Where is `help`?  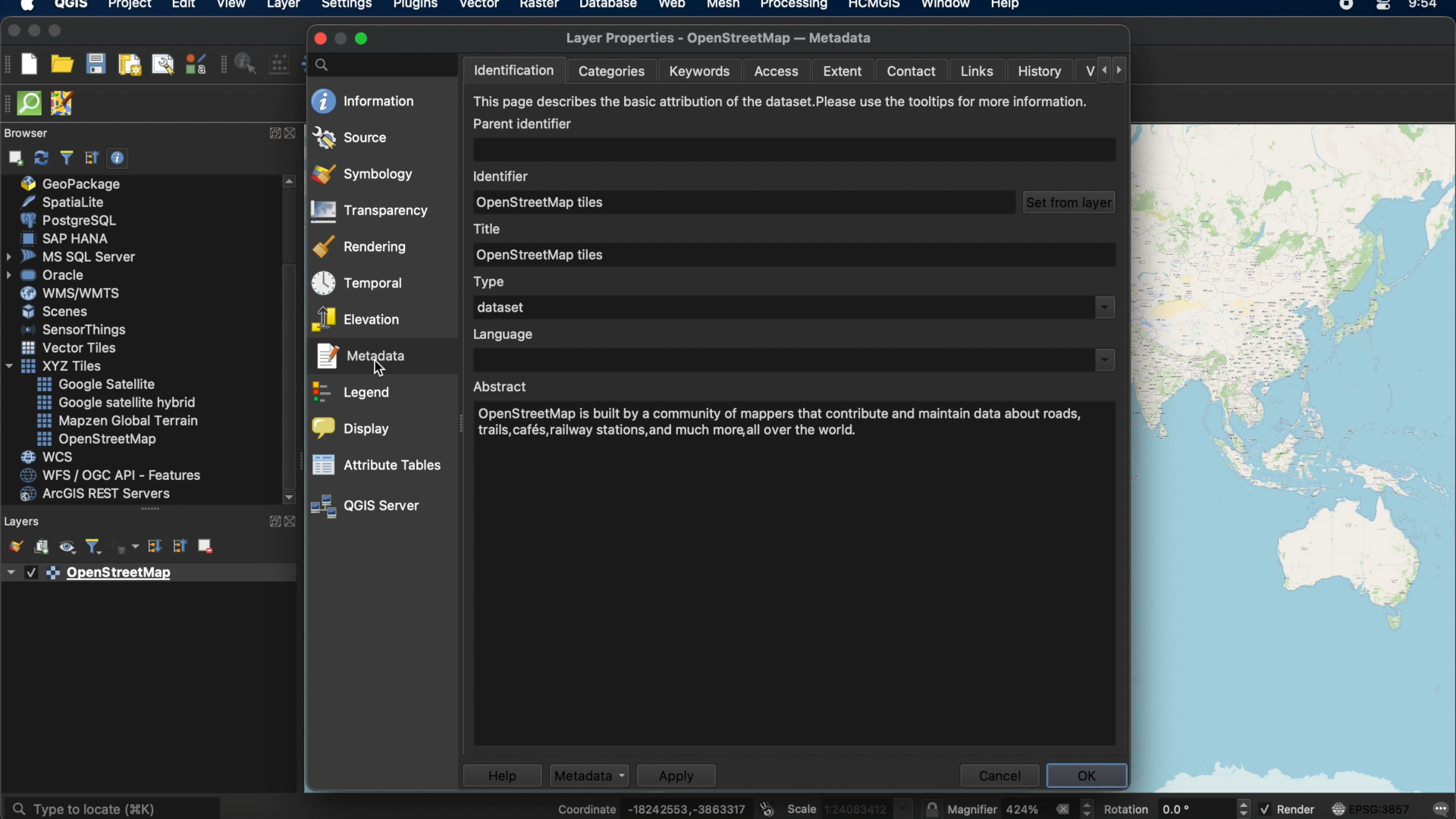
help is located at coordinates (1006, 6).